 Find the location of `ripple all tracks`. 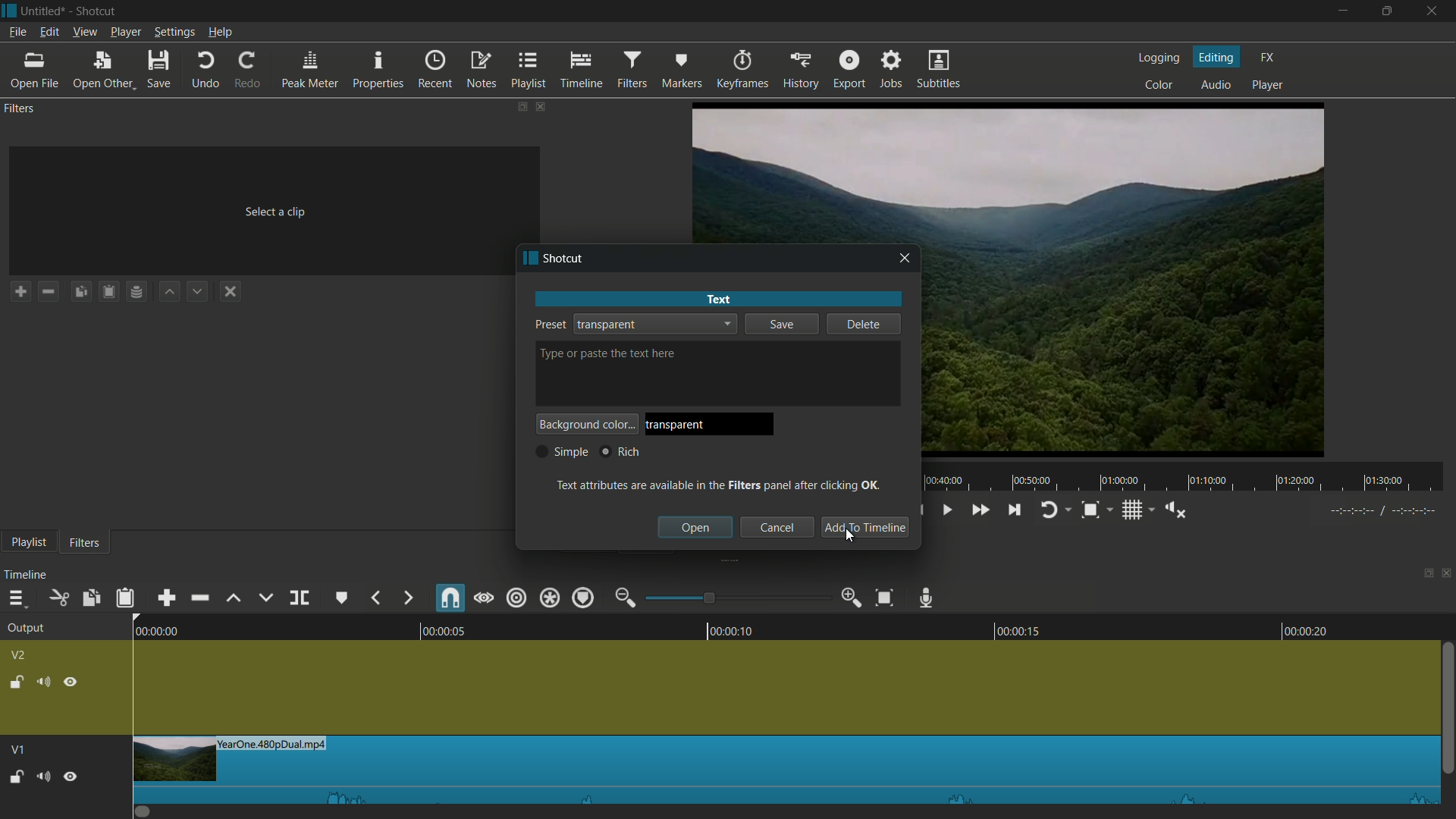

ripple all tracks is located at coordinates (549, 598).